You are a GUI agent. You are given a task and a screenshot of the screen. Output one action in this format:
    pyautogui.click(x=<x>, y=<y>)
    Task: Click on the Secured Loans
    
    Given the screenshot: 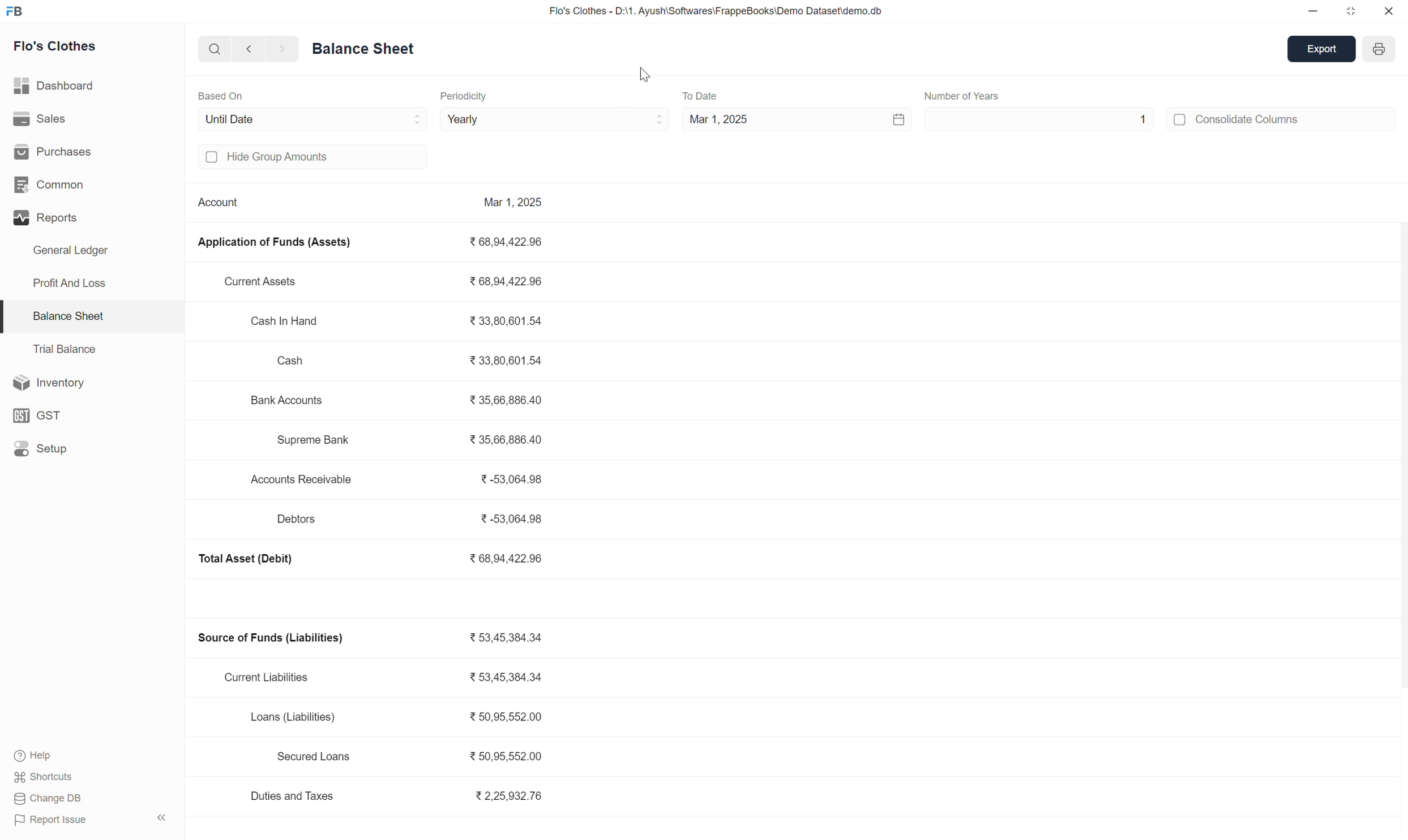 What is the action you would take?
    pyautogui.click(x=317, y=757)
    